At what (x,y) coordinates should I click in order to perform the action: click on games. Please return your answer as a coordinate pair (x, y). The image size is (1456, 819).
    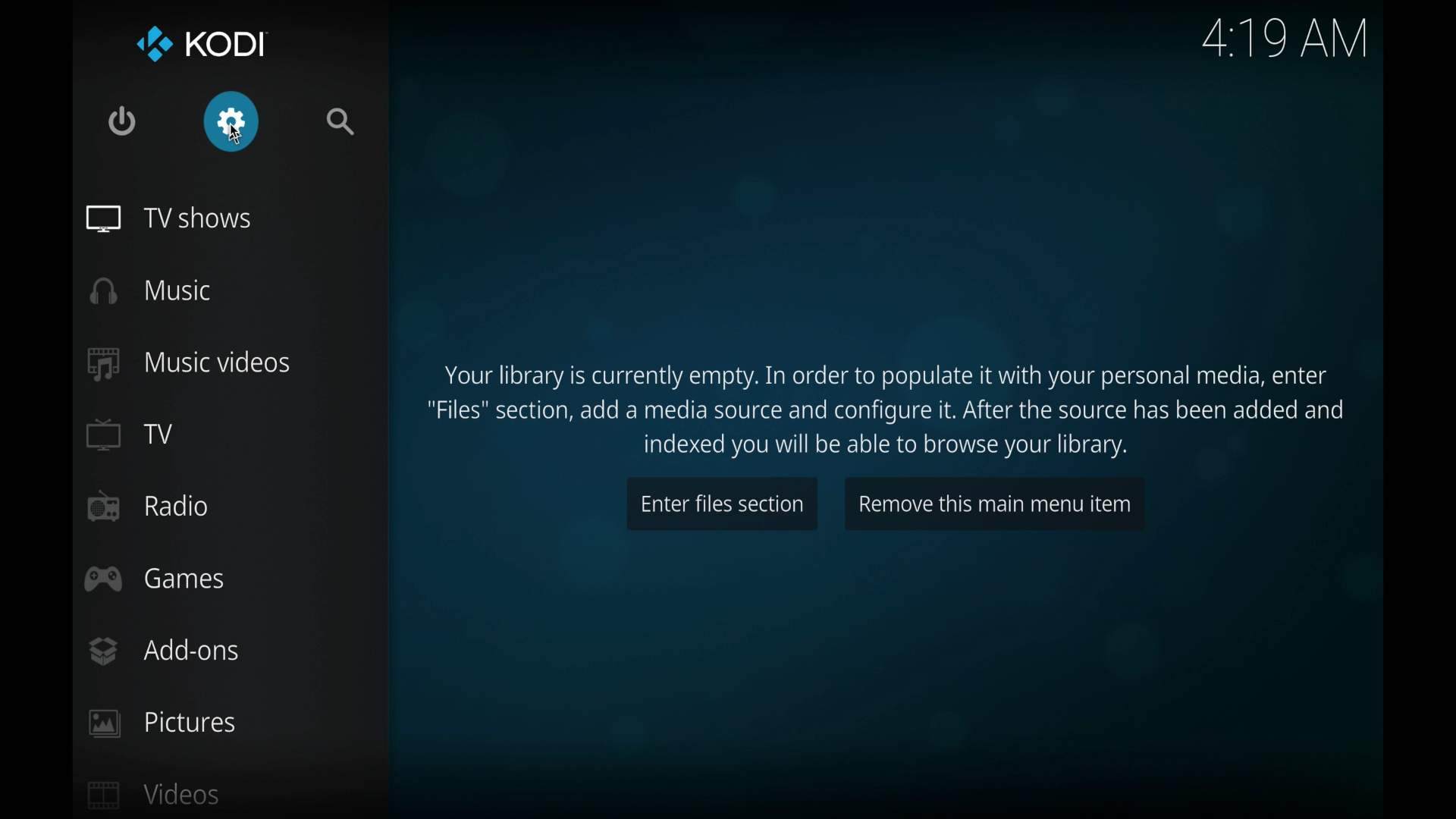
    Looking at the image, I should click on (155, 580).